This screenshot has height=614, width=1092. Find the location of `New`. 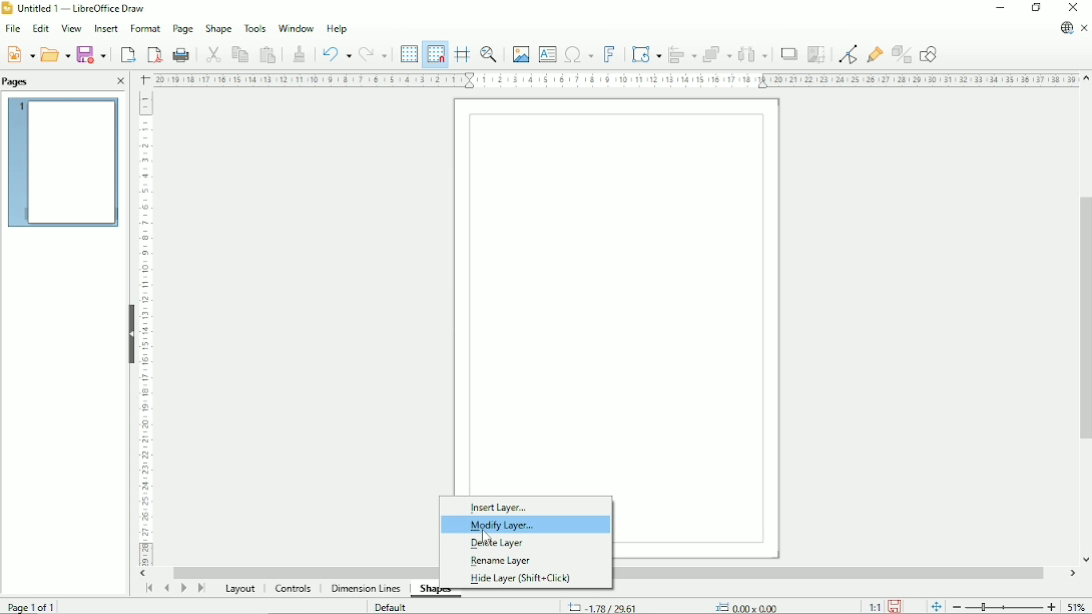

New is located at coordinates (22, 54).